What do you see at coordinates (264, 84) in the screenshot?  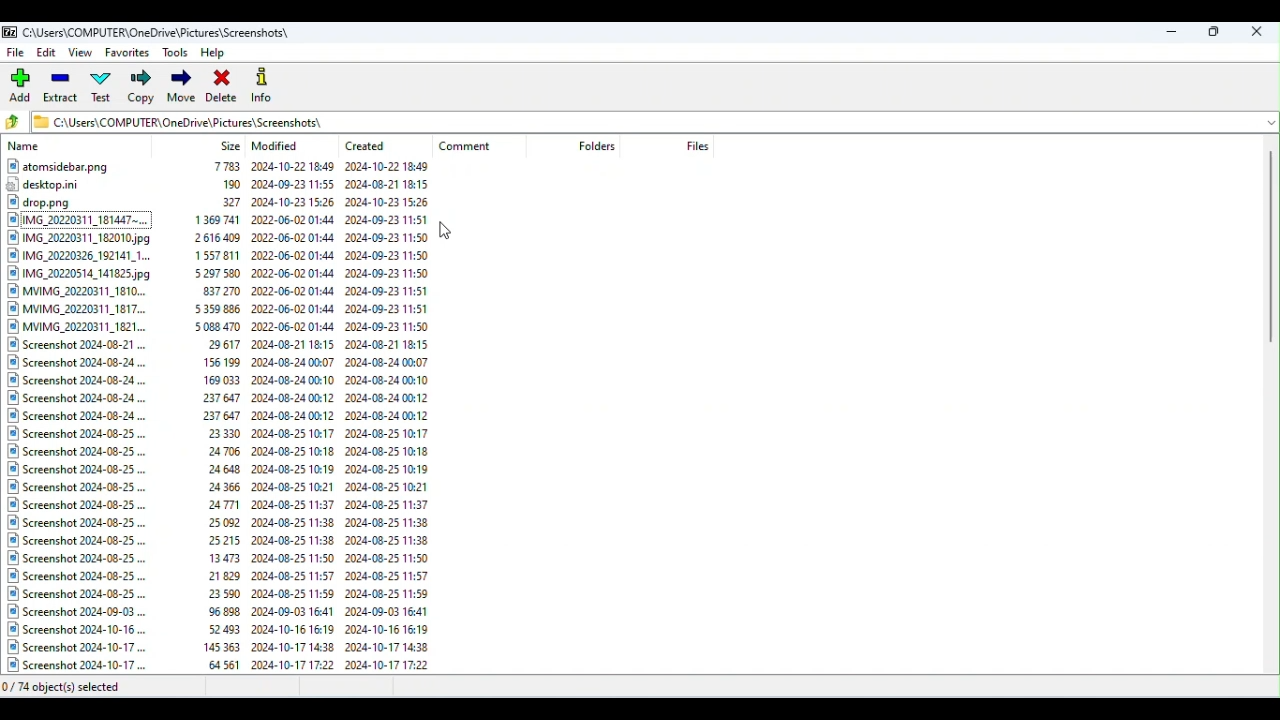 I see `Info` at bounding box center [264, 84].